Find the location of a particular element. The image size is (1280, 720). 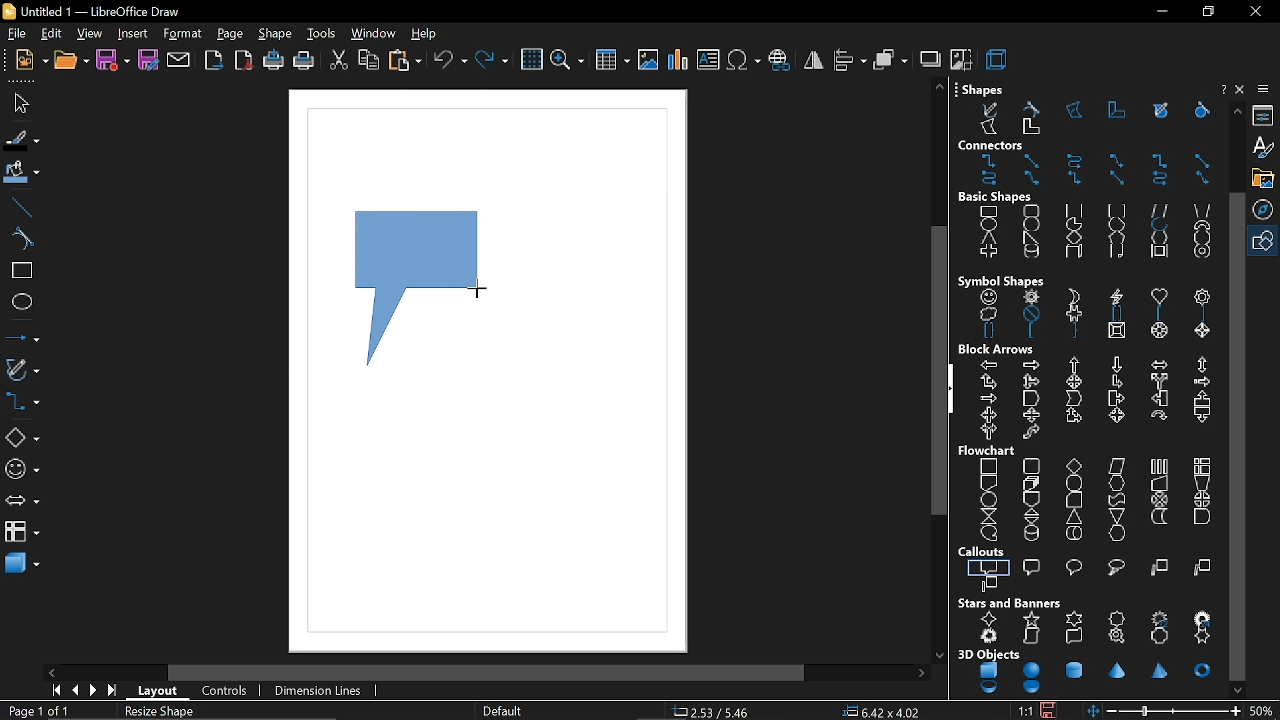

grid is located at coordinates (530, 61).